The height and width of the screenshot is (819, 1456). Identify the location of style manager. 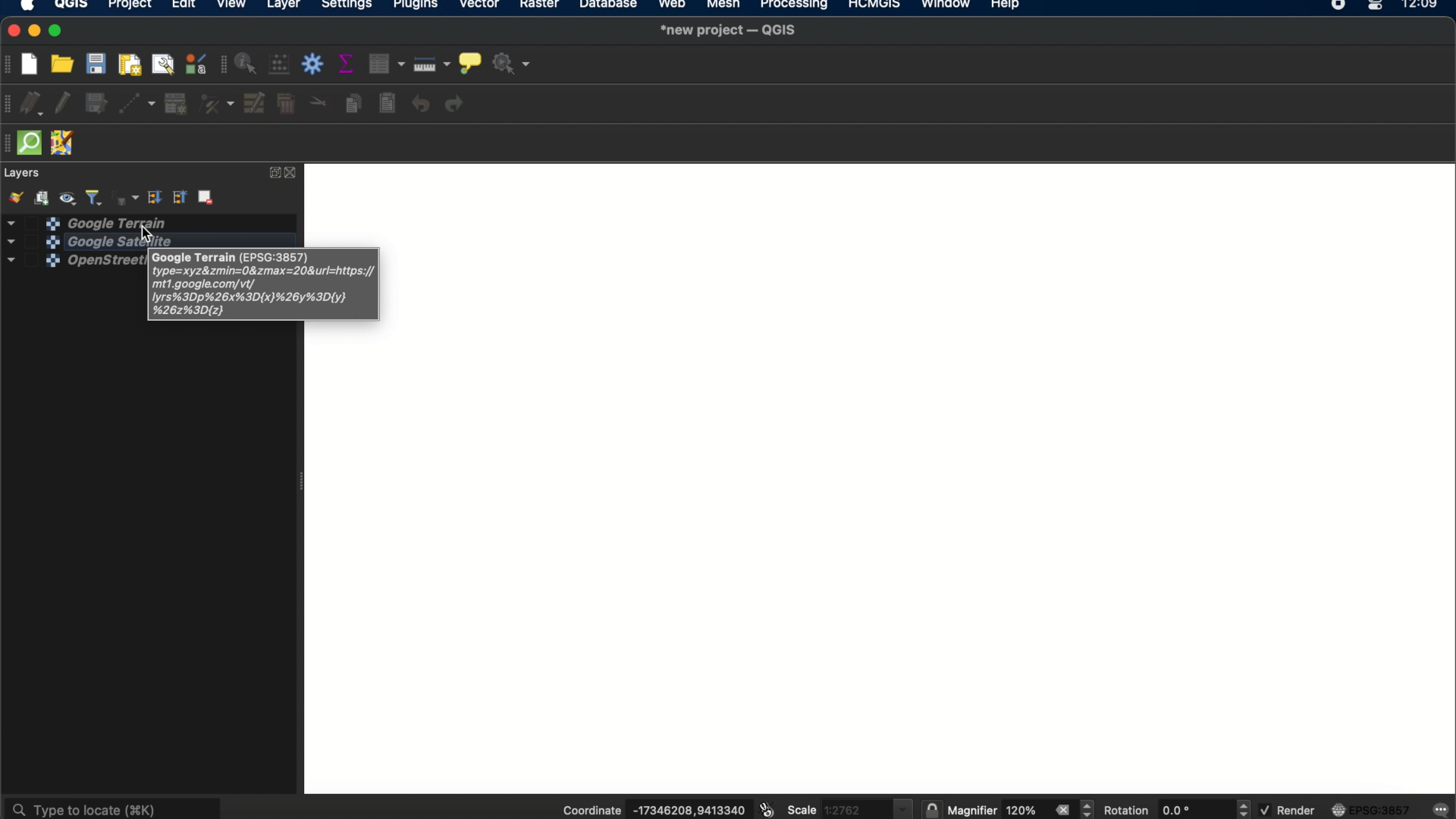
(195, 64).